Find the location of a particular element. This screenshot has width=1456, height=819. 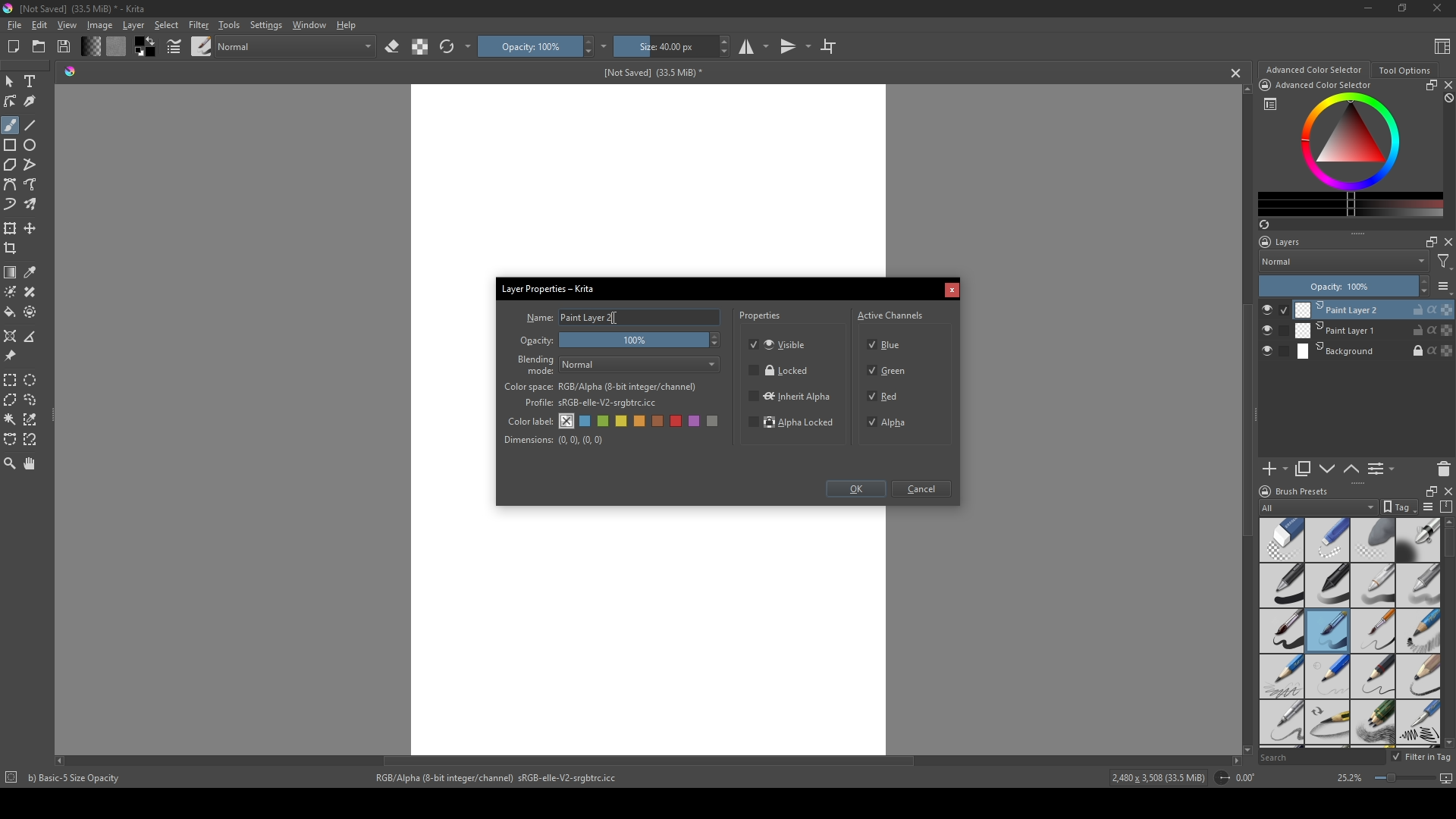

resize is located at coordinates (1429, 85).